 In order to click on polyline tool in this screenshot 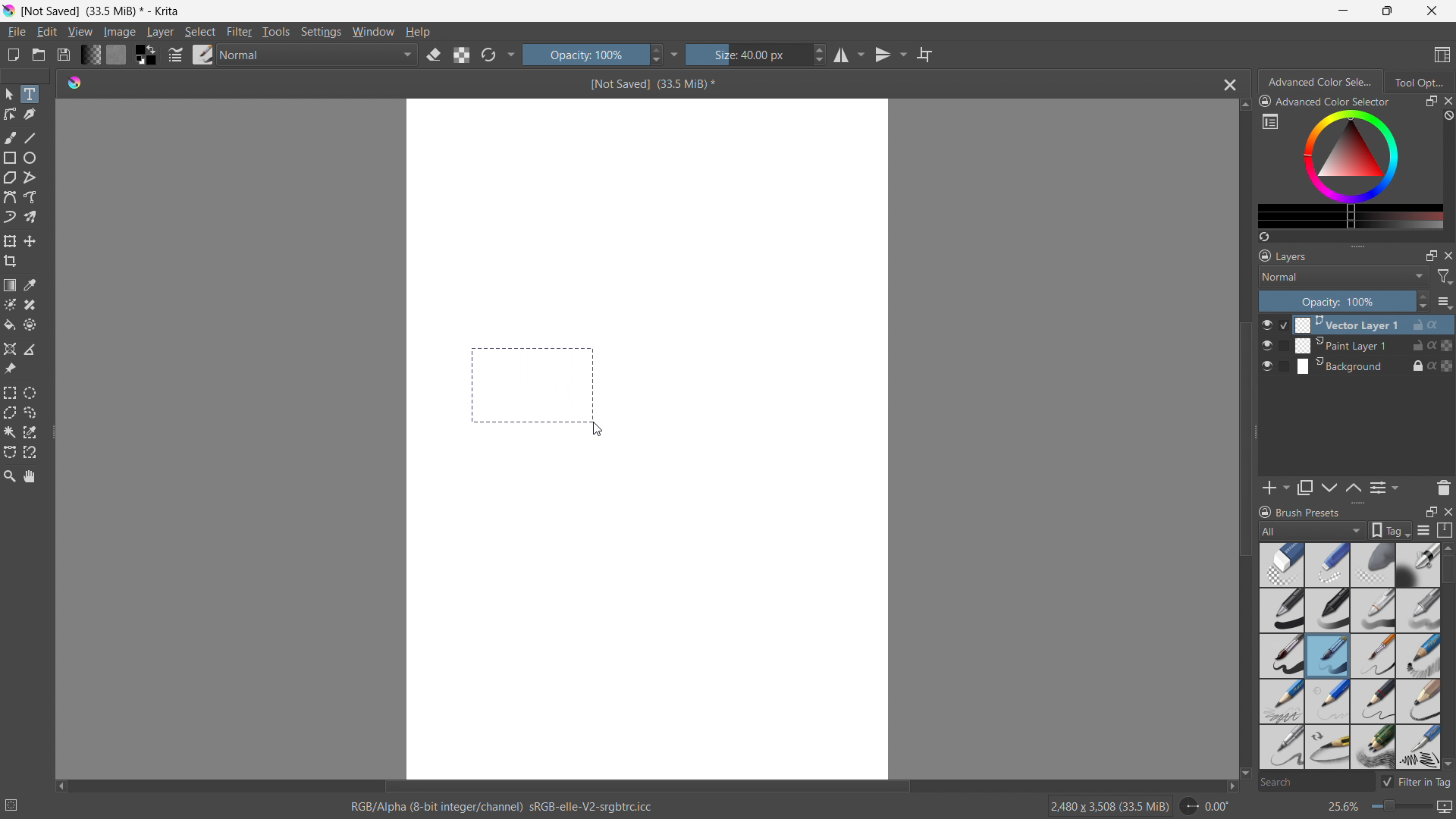, I will do `click(30, 179)`.